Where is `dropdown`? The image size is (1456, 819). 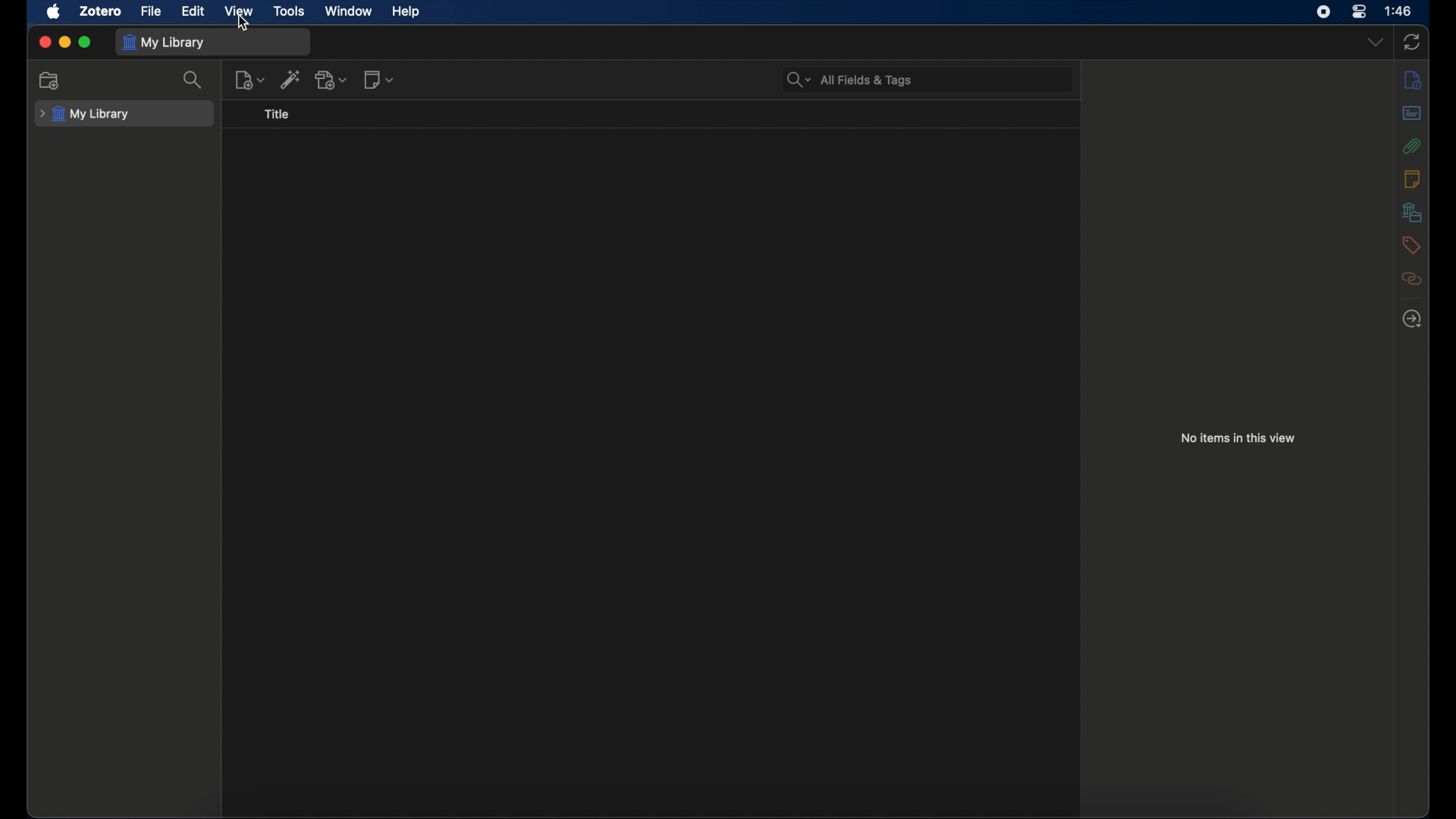
dropdown is located at coordinates (1375, 42).